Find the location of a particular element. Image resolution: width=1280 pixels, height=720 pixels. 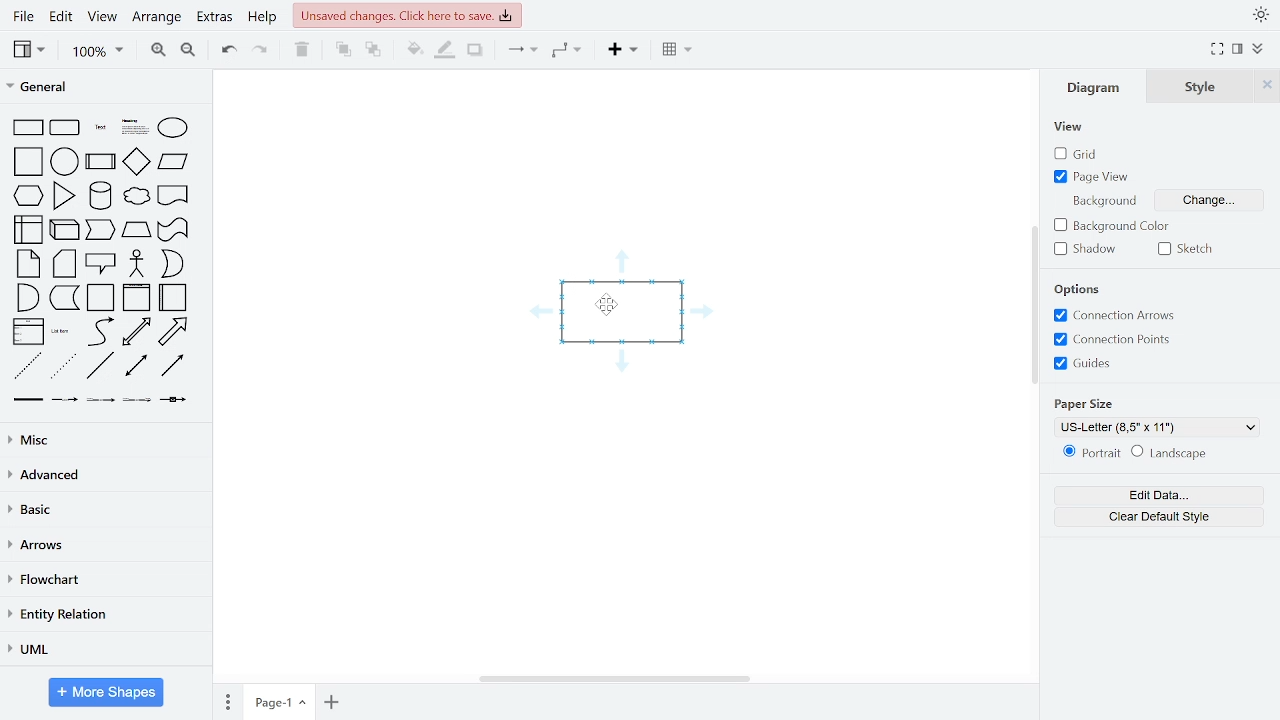

paper size is located at coordinates (1086, 404).